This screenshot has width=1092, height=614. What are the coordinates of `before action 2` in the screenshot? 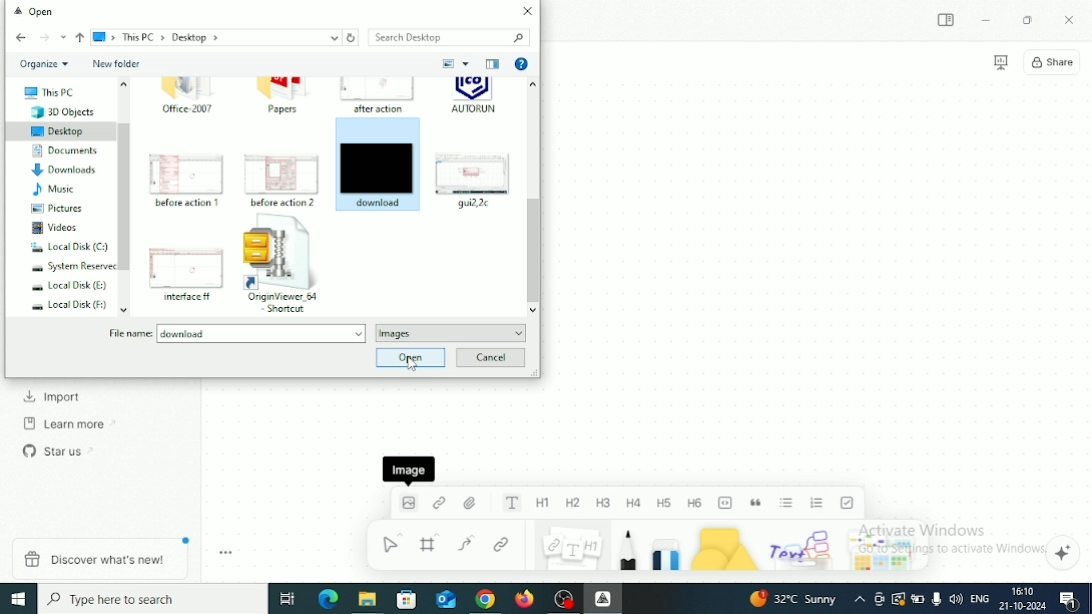 It's located at (284, 178).